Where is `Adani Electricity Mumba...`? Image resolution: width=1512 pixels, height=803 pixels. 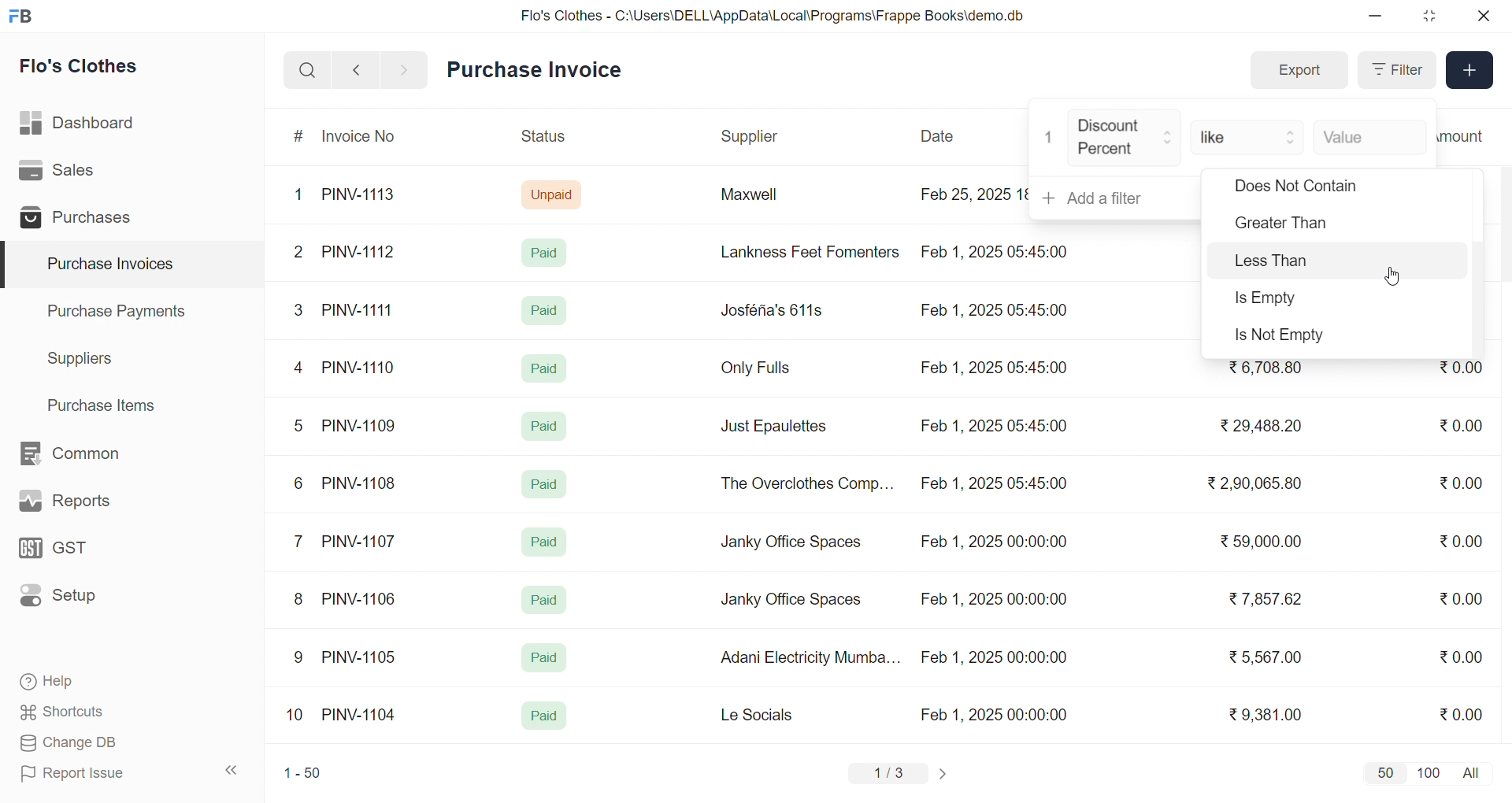
Adani Electricity Mumba... is located at coordinates (812, 658).